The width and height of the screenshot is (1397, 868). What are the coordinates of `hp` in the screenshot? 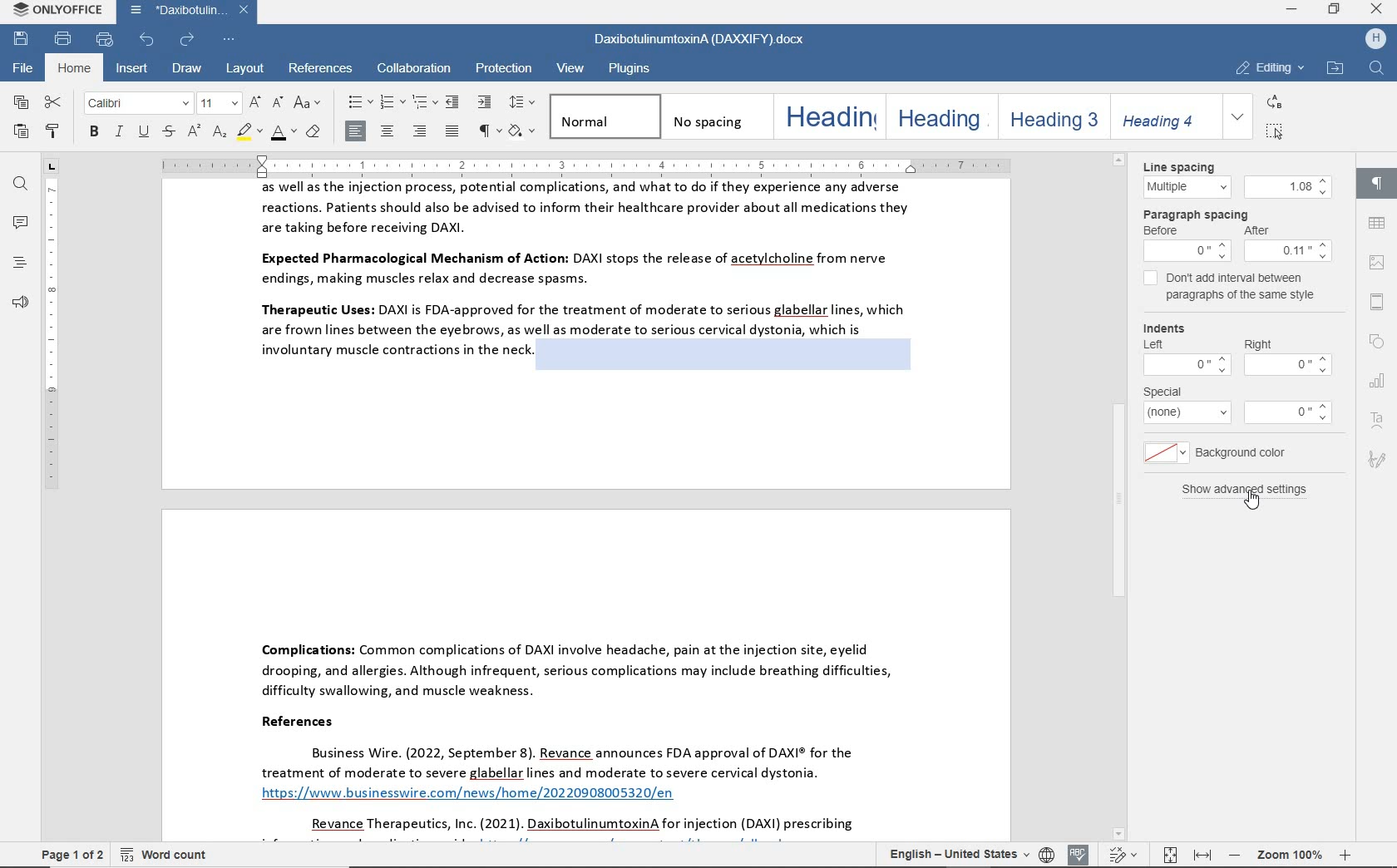 It's located at (1372, 40).